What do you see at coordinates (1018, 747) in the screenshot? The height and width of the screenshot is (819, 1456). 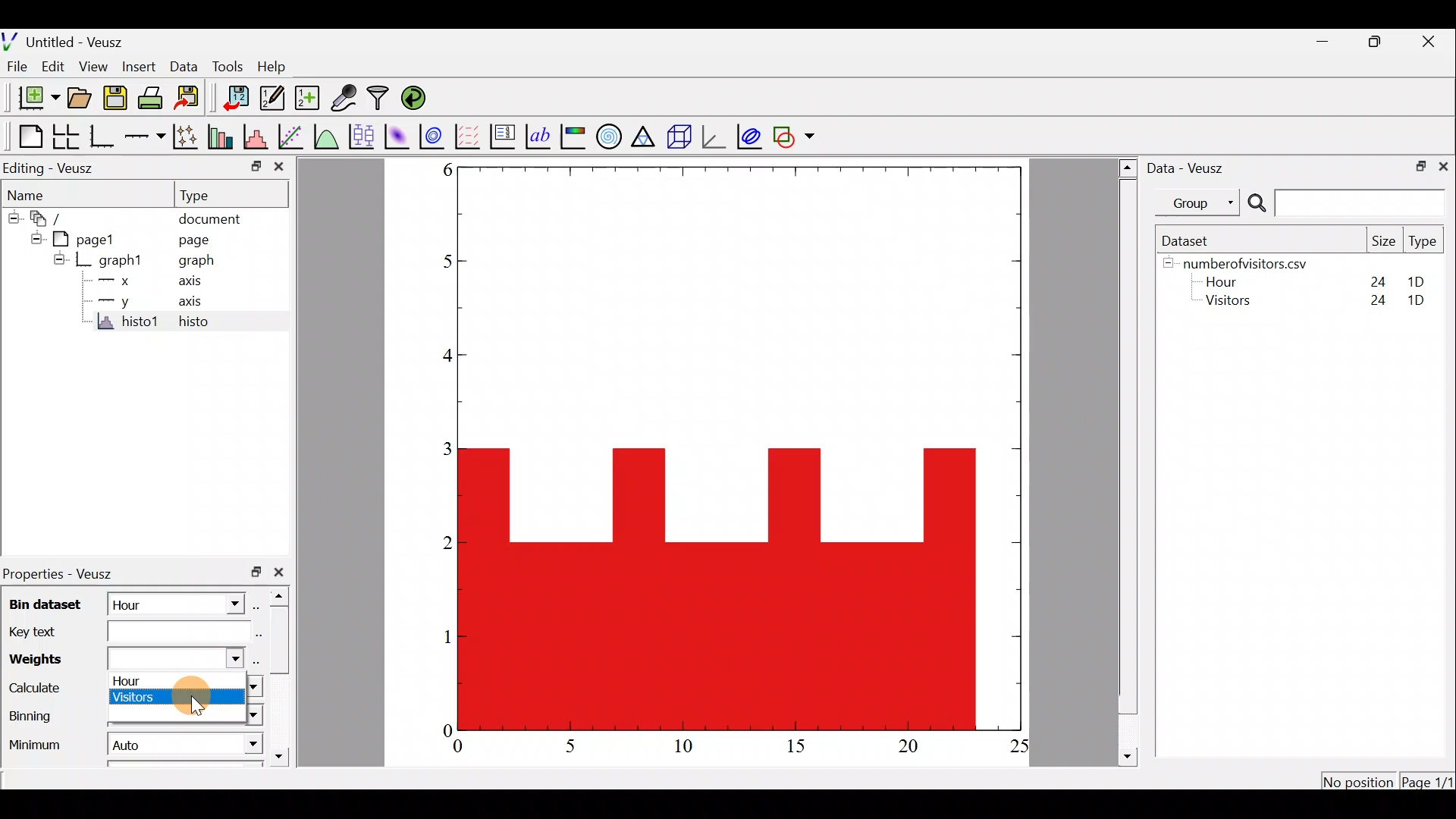 I see `25` at bounding box center [1018, 747].